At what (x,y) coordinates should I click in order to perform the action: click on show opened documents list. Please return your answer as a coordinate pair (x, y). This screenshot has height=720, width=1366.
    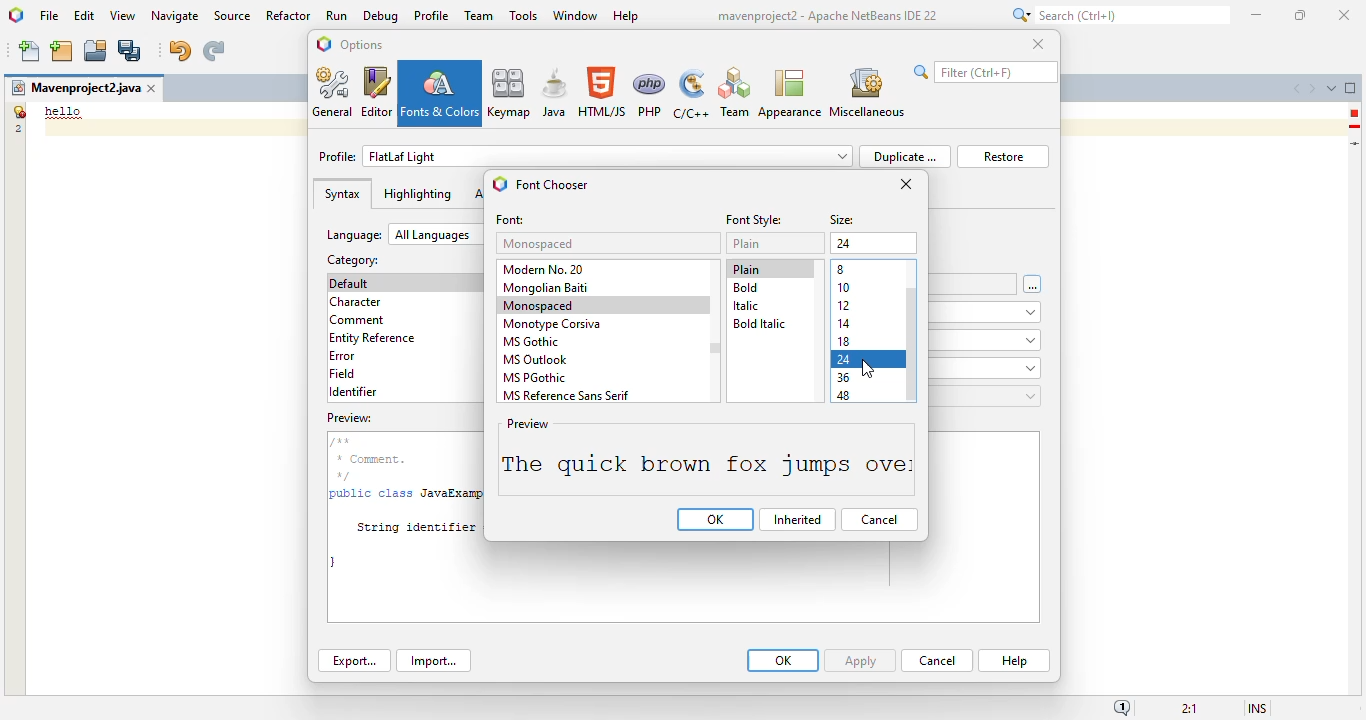
    Looking at the image, I should click on (1331, 88).